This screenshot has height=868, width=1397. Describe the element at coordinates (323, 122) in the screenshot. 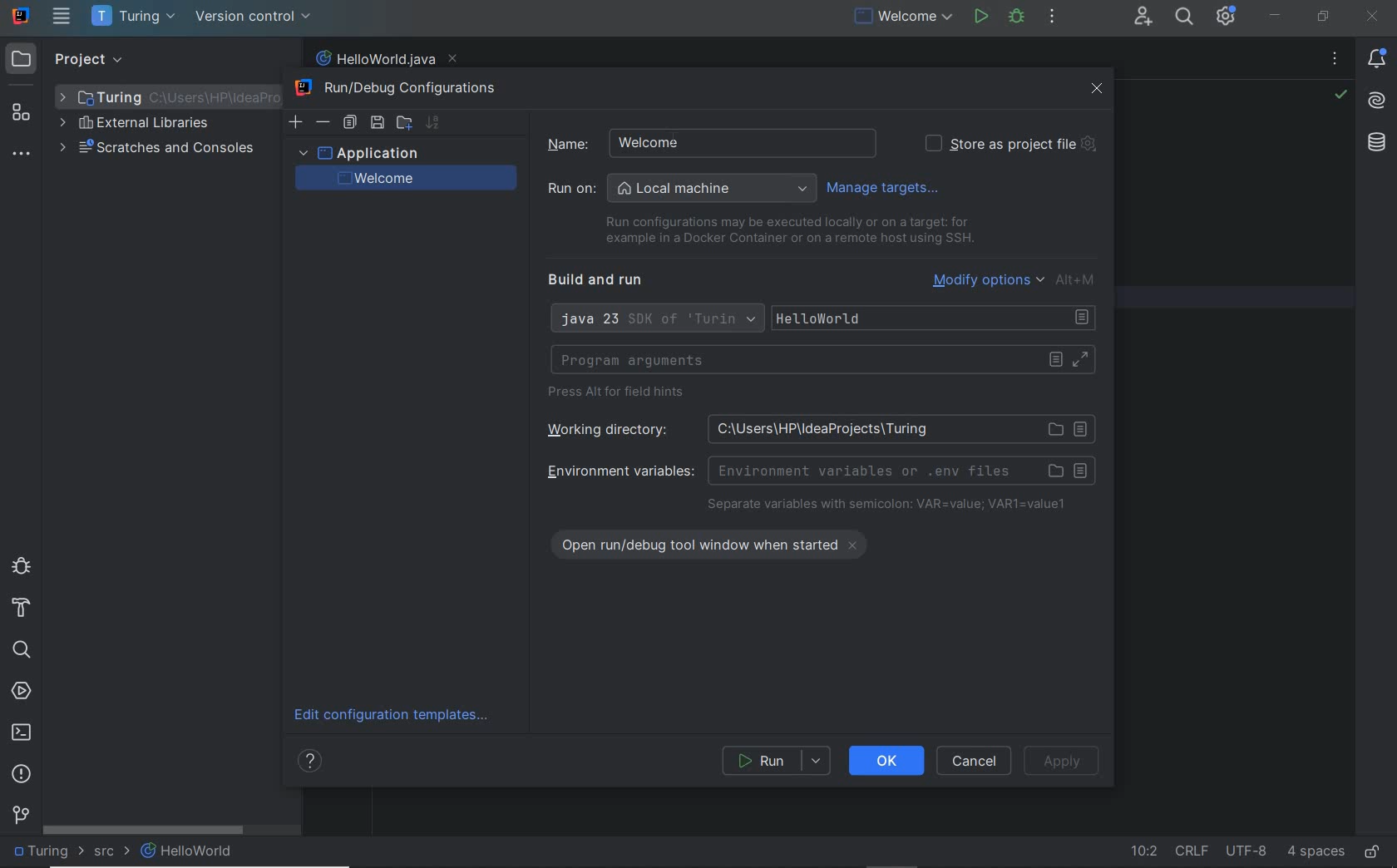

I see `REMOVE CONFIGURATION` at that location.